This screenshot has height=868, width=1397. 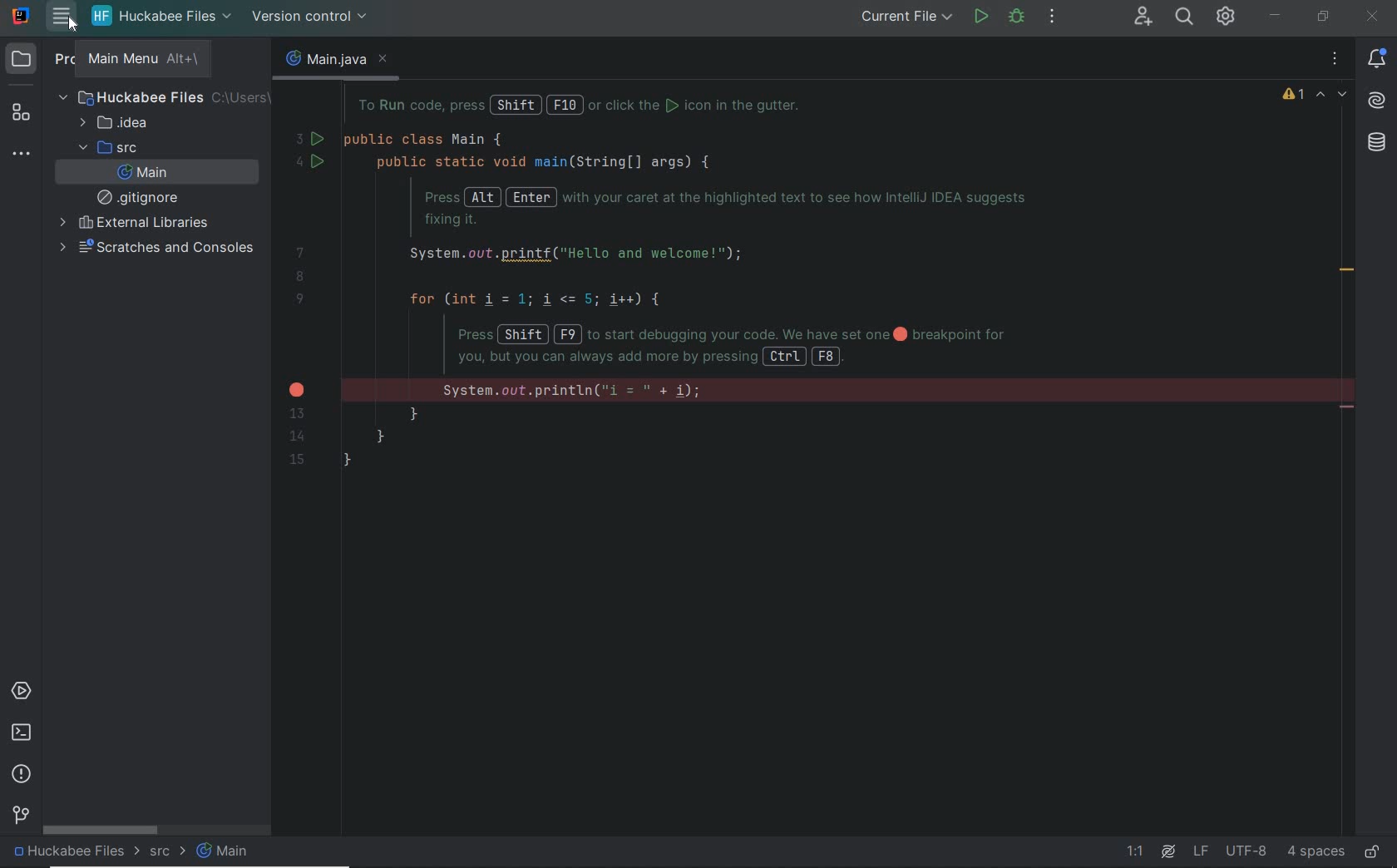 I want to click on More actions, so click(x=1053, y=19).